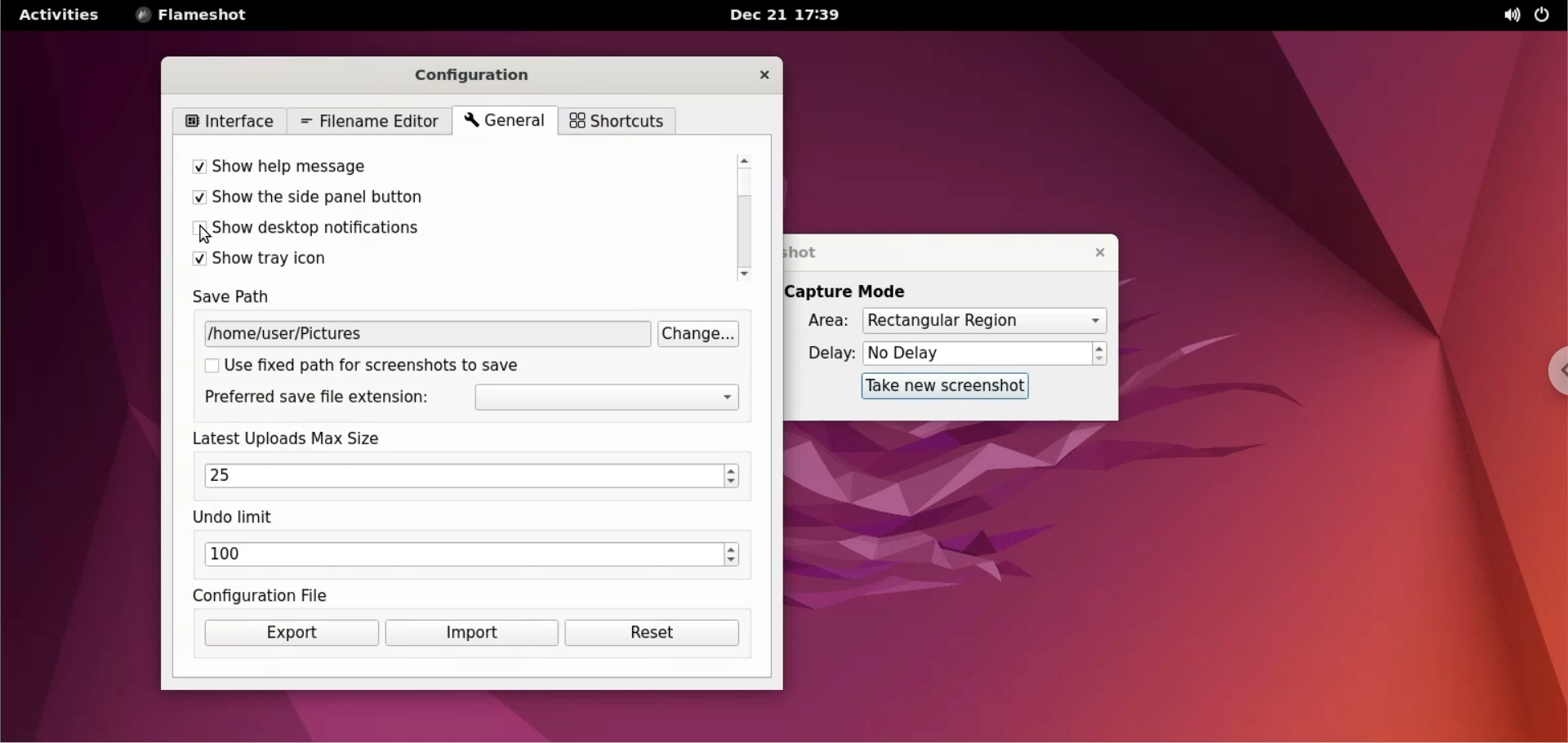 Image resolution: width=1568 pixels, height=743 pixels. Describe the element at coordinates (246, 299) in the screenshot. I see `save path ` at that location.